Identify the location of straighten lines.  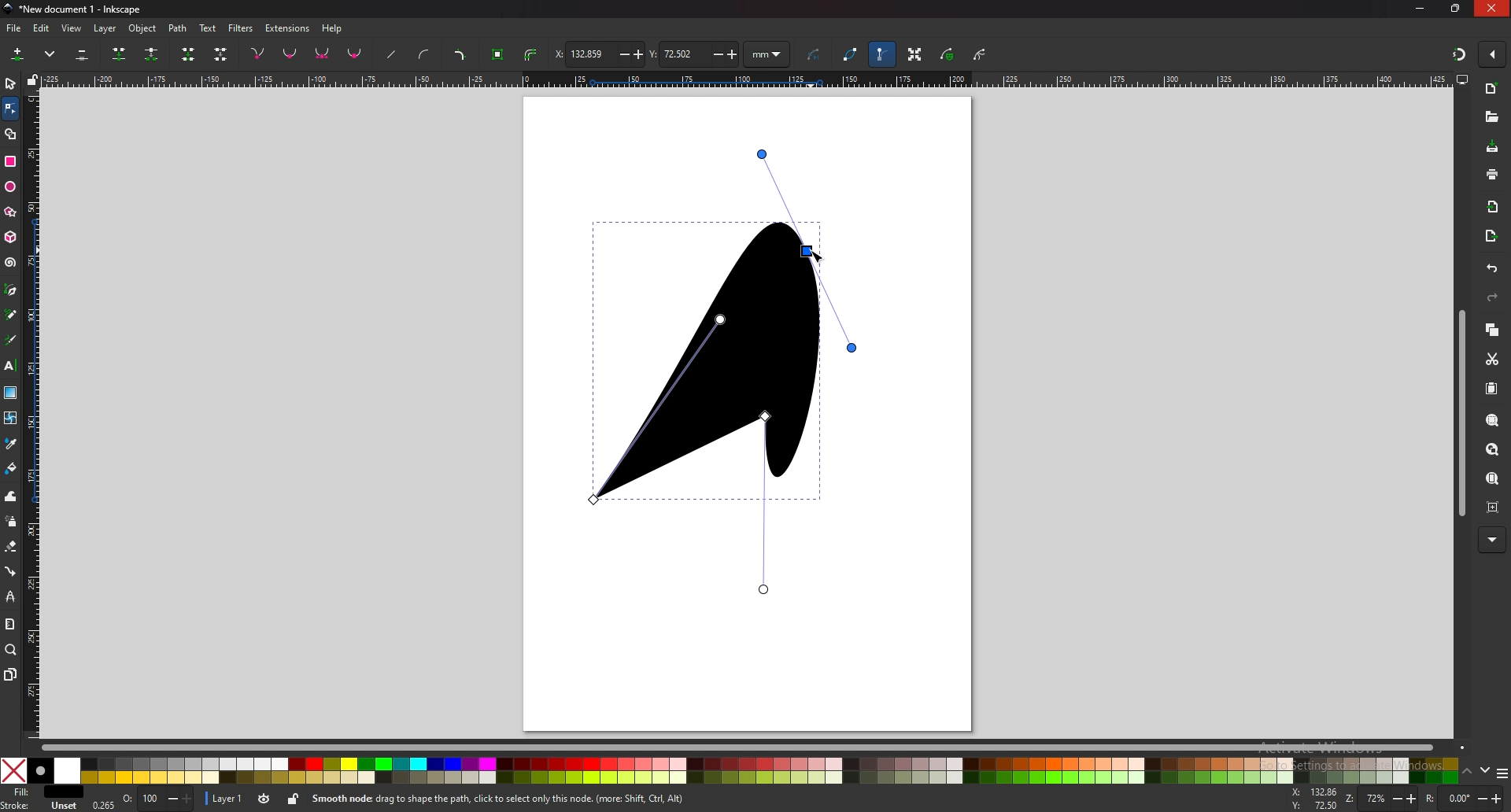
(393, 54).